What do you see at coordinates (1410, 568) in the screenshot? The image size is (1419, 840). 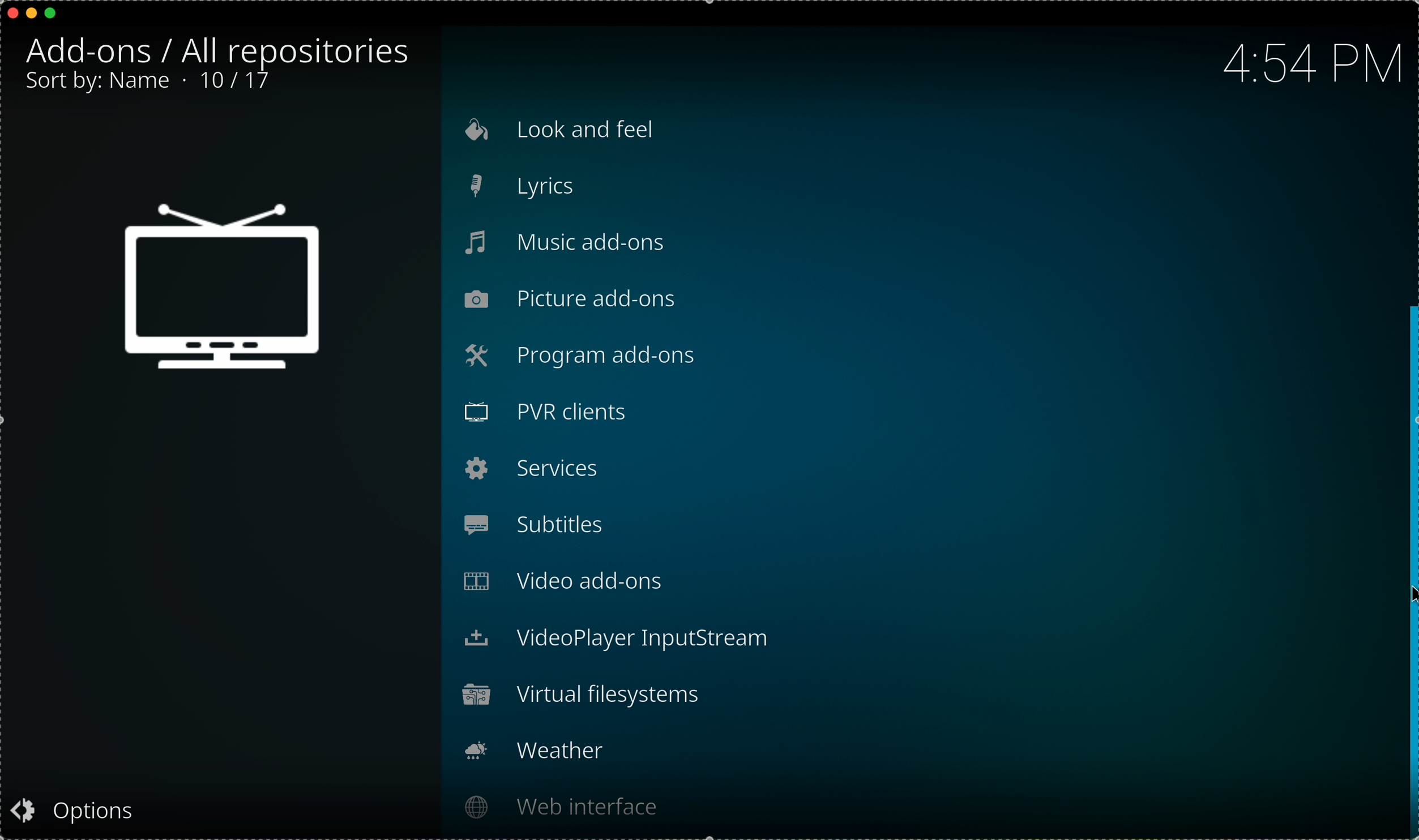 I see `drag to` at bounding box center [1410, 568].